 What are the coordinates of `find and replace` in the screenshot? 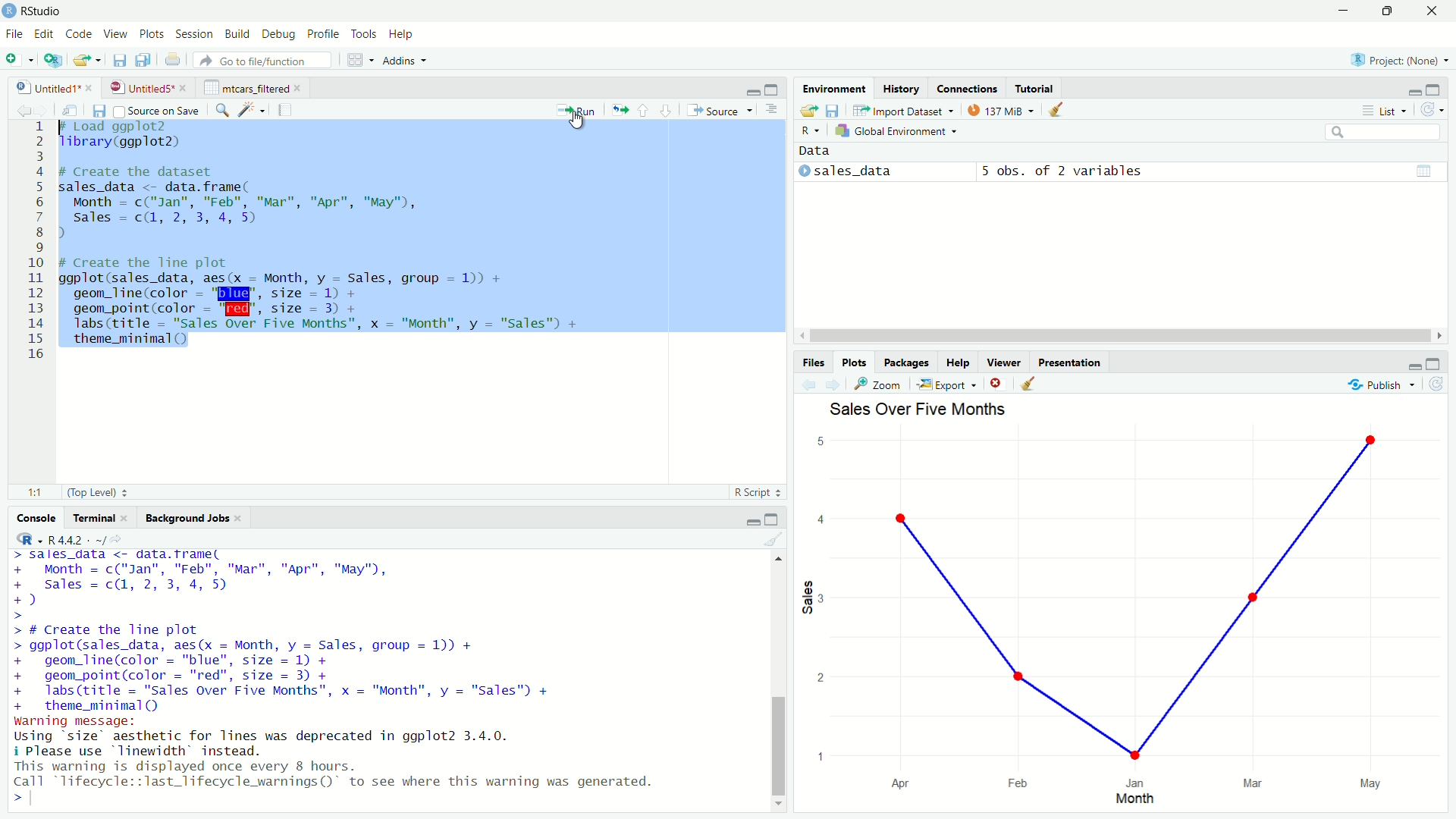 It's located at (222, 111).